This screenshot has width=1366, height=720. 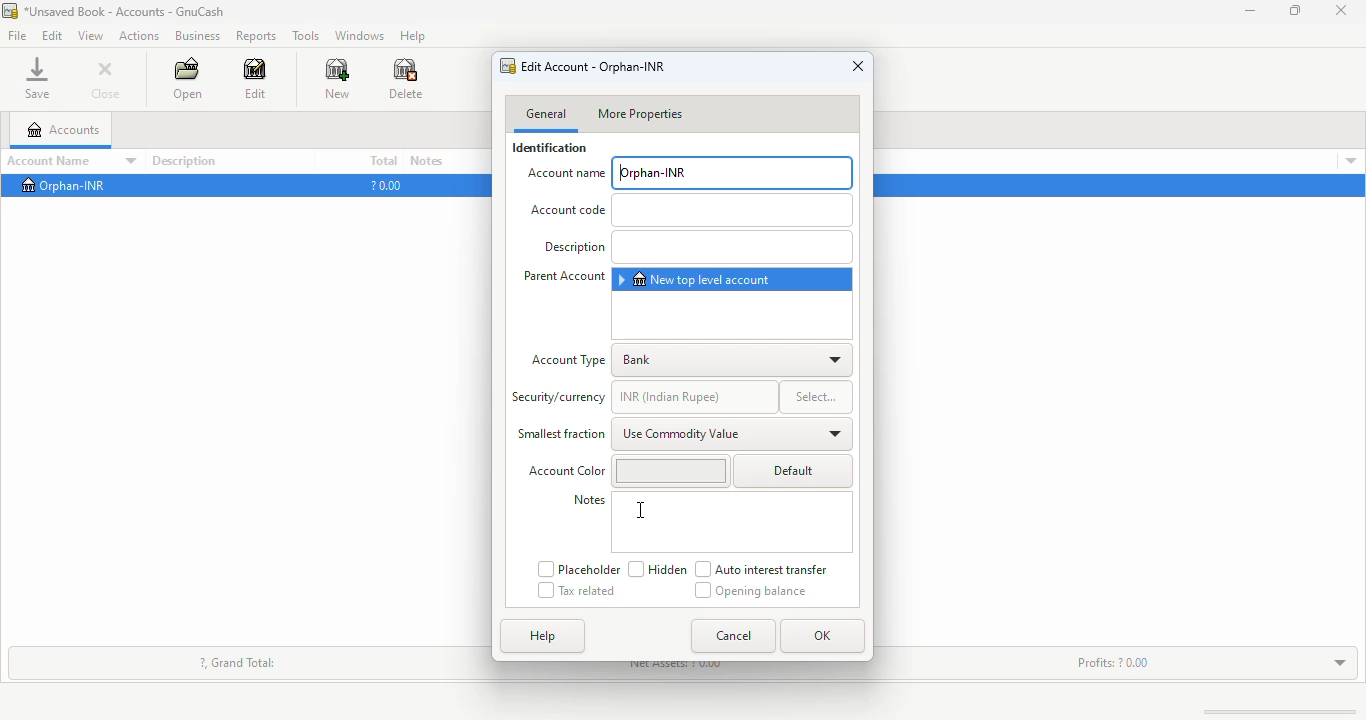 What do you see at coordinates (732, 173) in the screenshot?
I see `orphan-INR` at bounding box center [732, 173].